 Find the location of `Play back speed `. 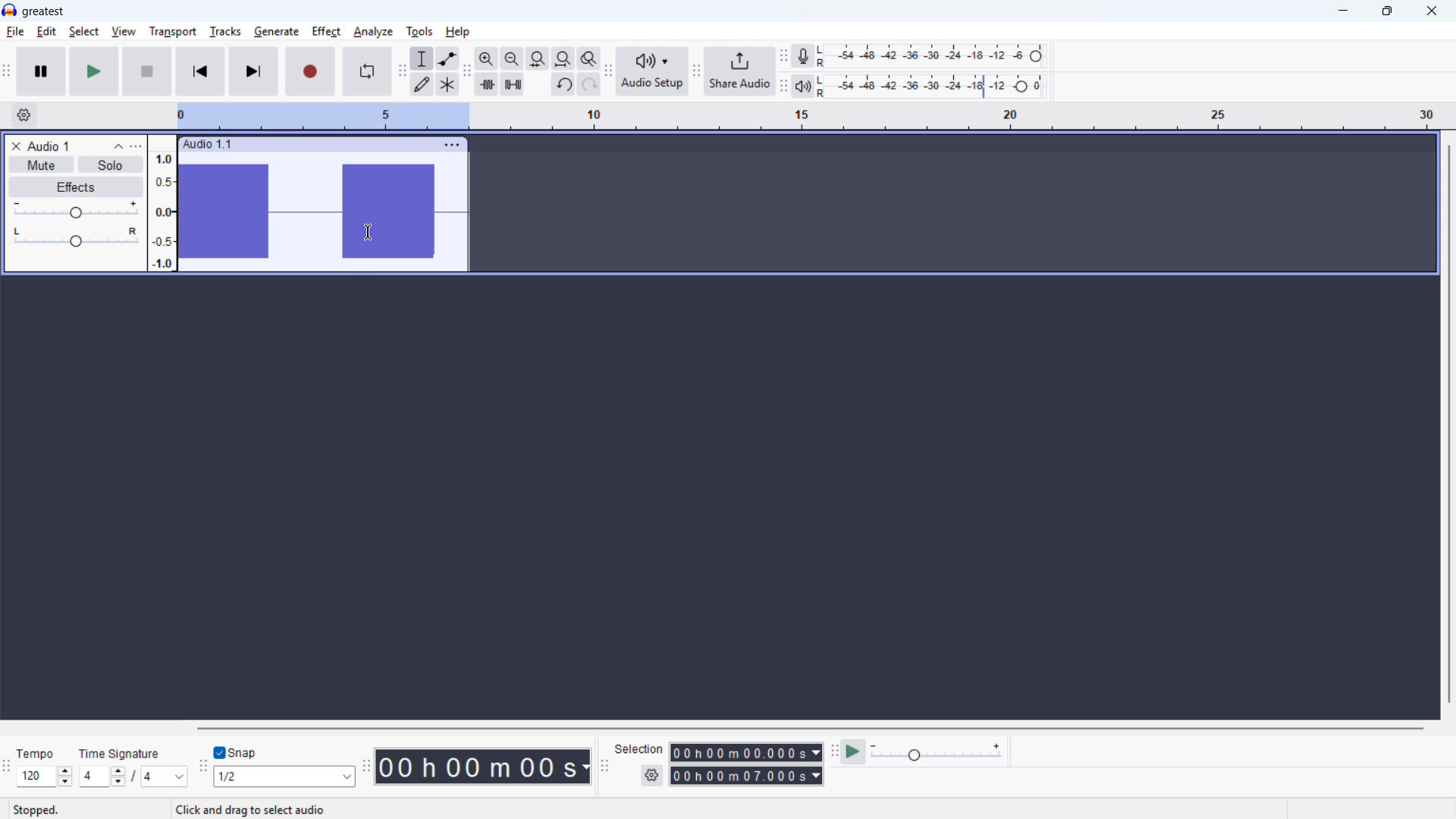

Play back speed  is located at coordinates (939, 752).